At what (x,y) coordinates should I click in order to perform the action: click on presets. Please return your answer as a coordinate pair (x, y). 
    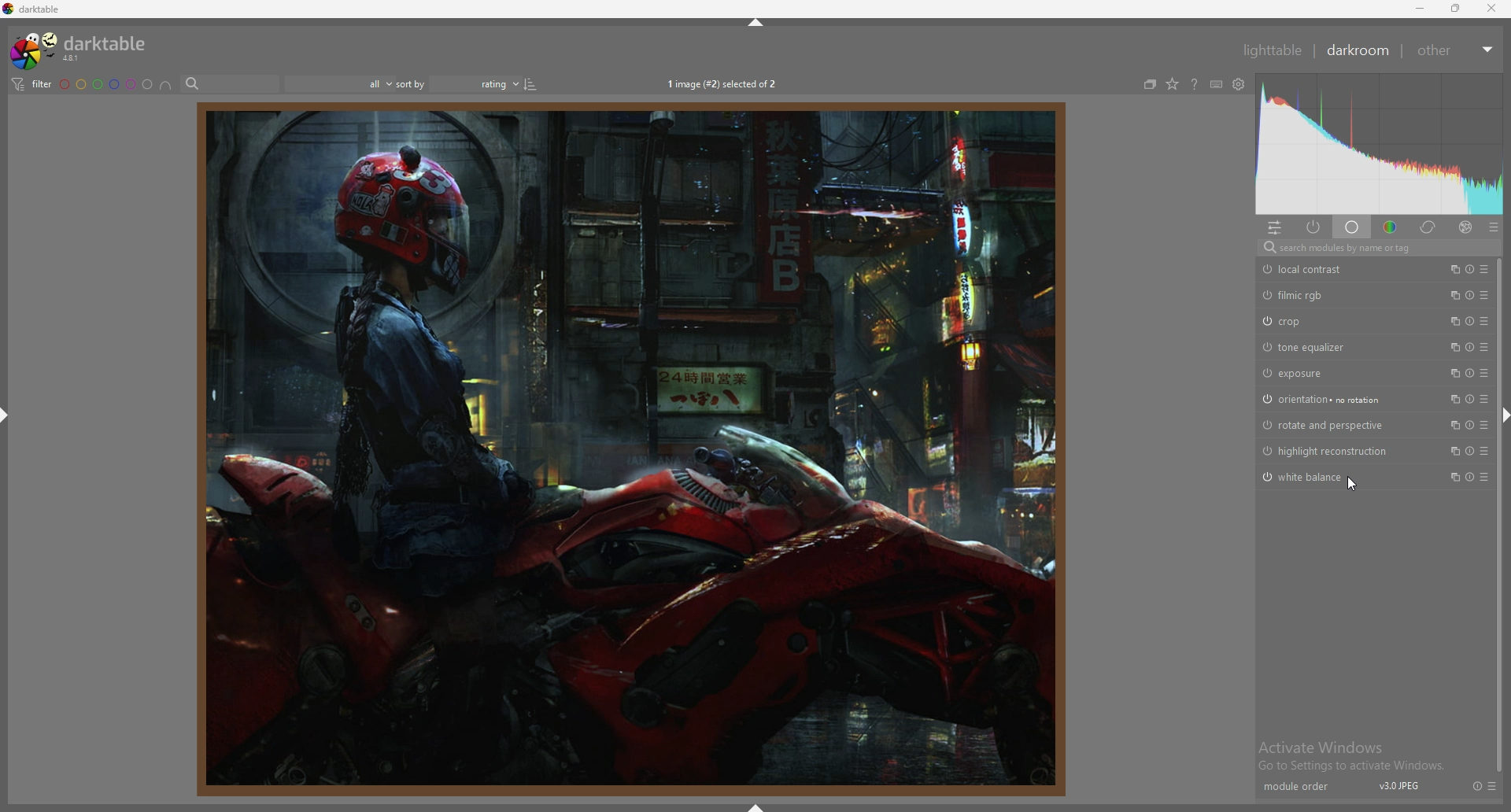
    Looking at the image, I should click on (1494, 228).